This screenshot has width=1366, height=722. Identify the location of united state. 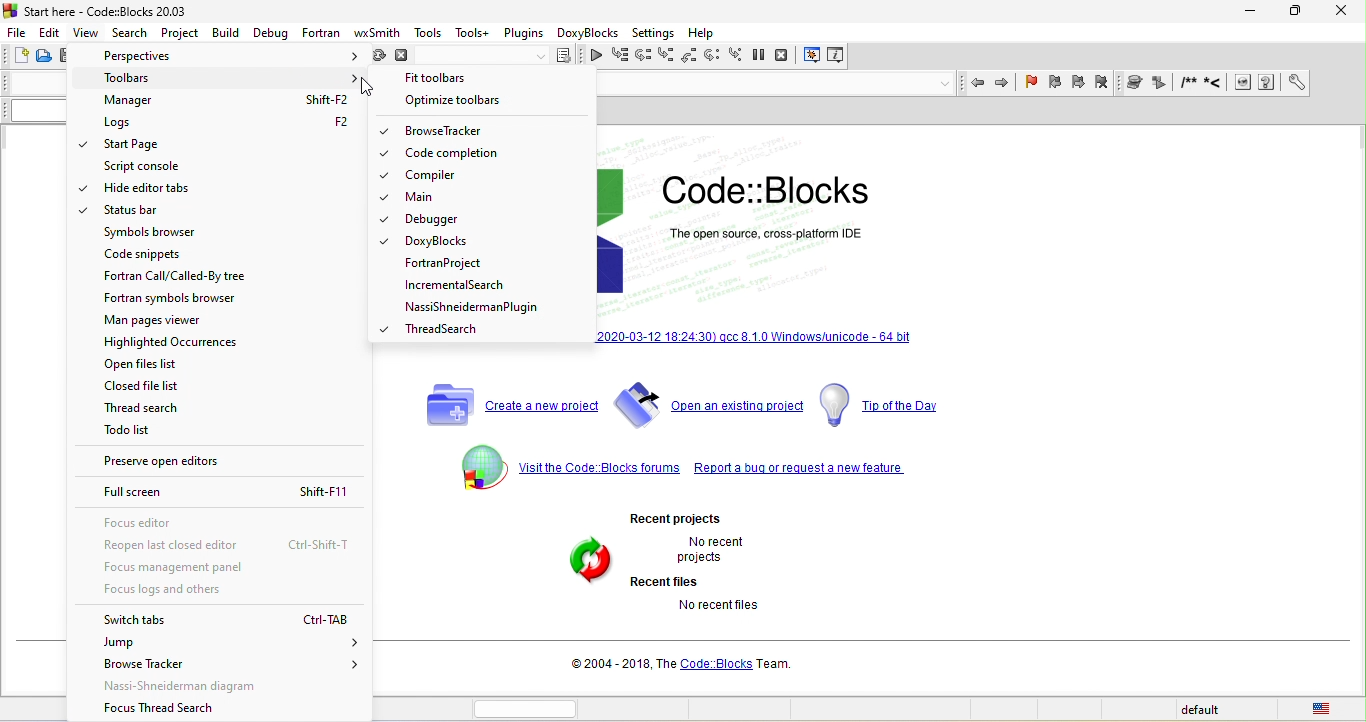
(1326, 710).